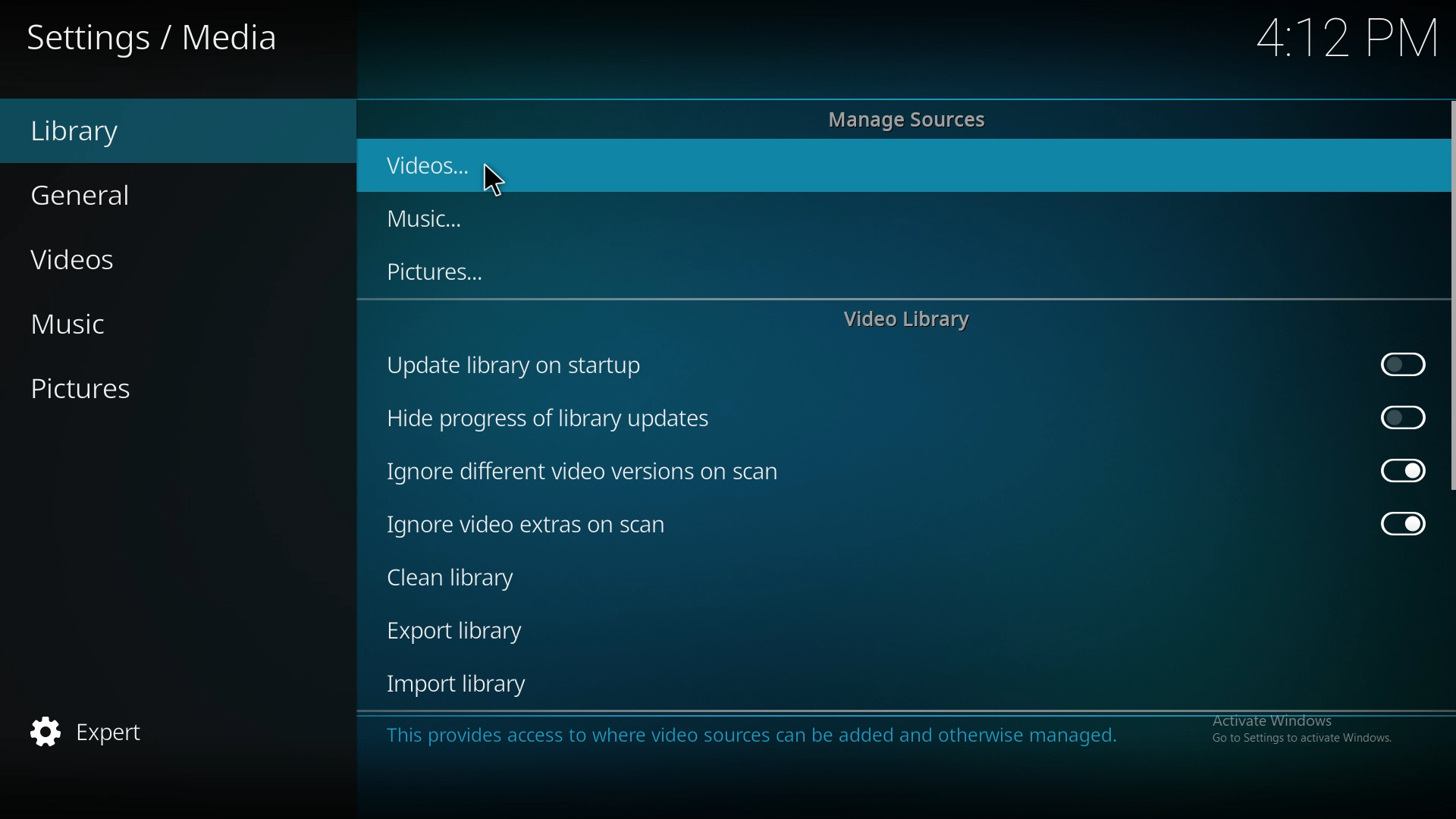  Describe the element at coordinates (915, 318) in the screenshot. I see `video library` at that location.